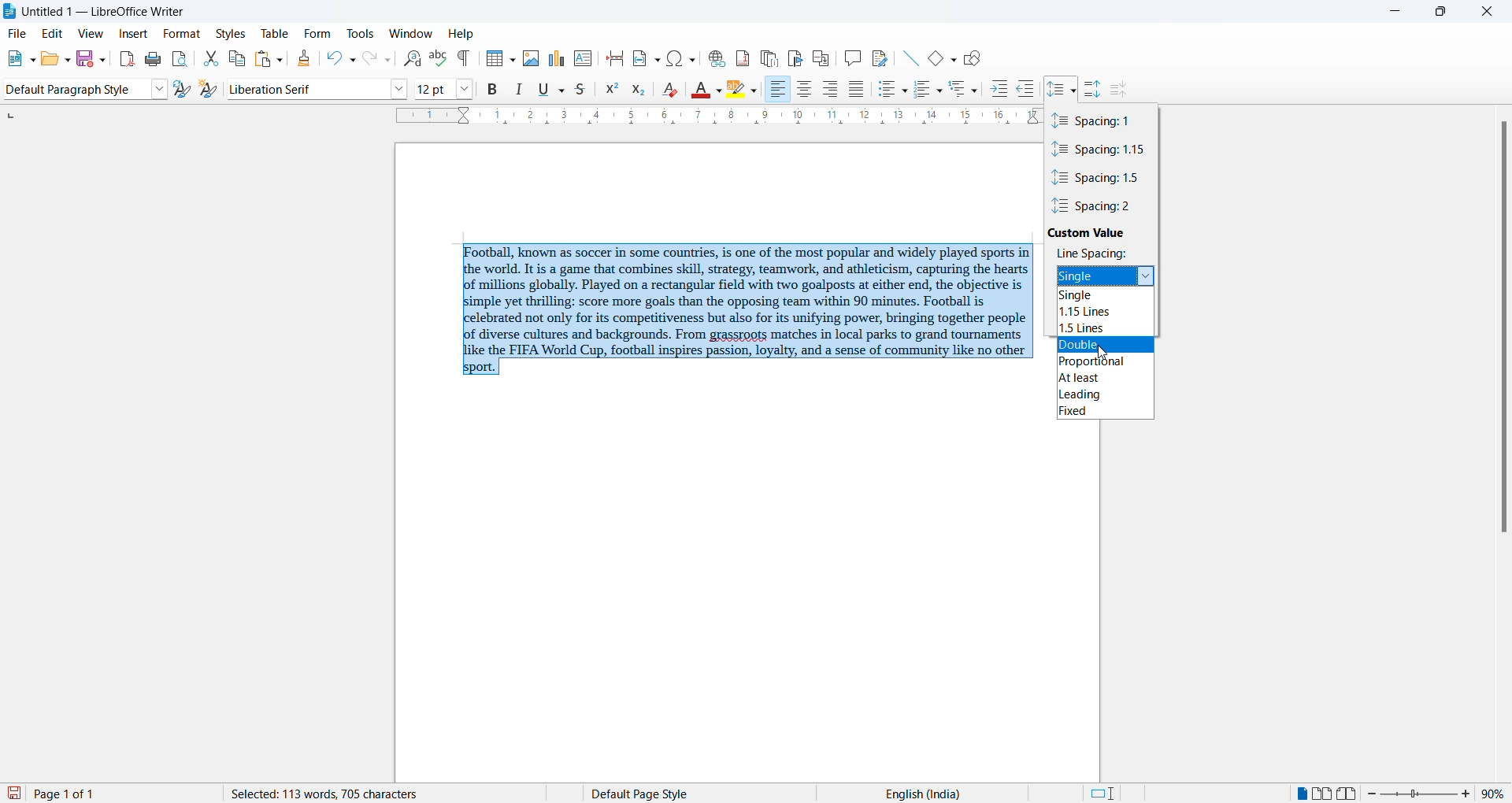 This screenshot has height=803, width=1512. What do you see at coordinates (1495, 793) in the screenshot?
I see `zoom percentage` at bounding box center [1495, 793].